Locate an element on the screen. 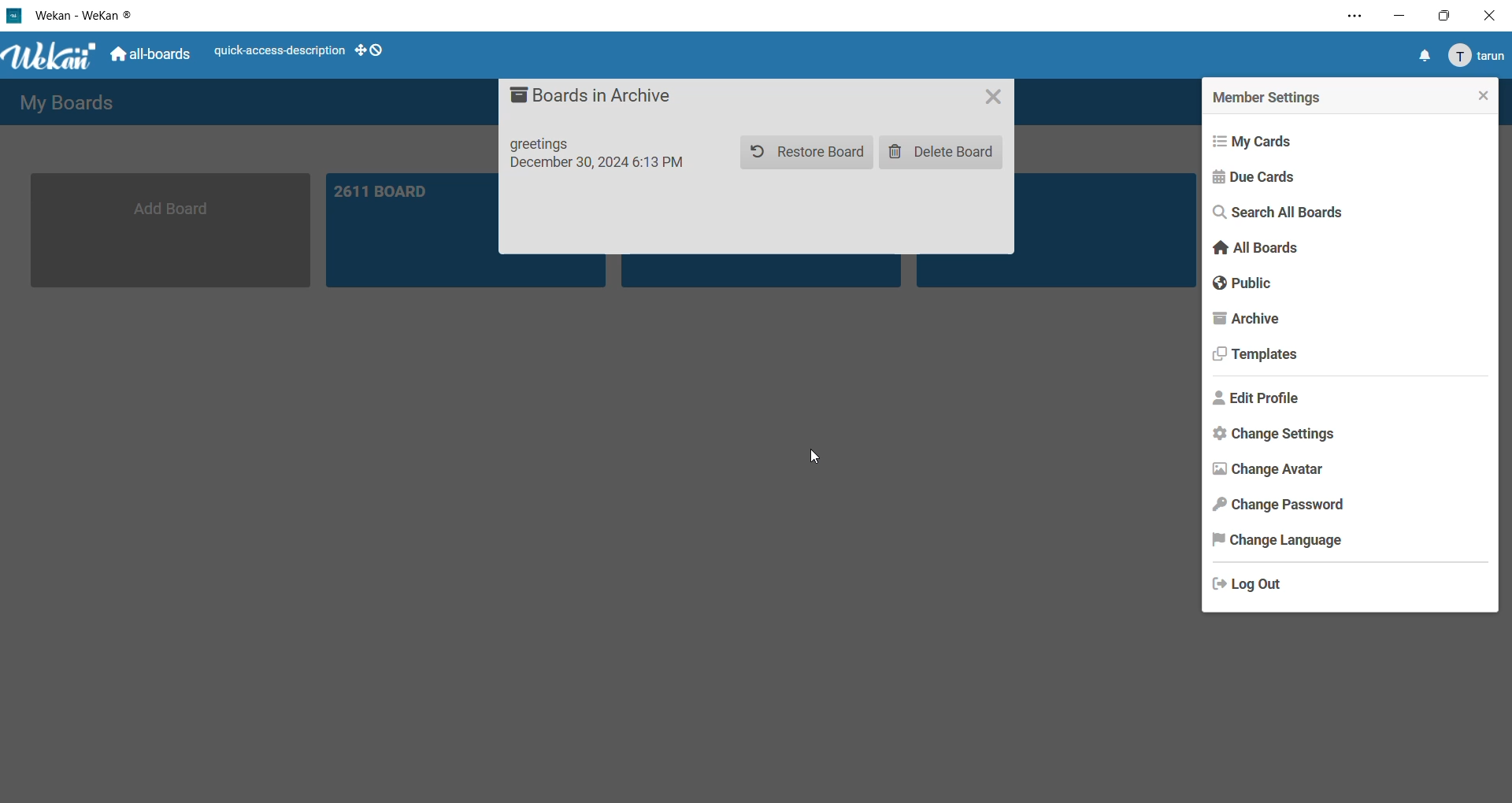  boards in archive is located at coordinates (598, 99).